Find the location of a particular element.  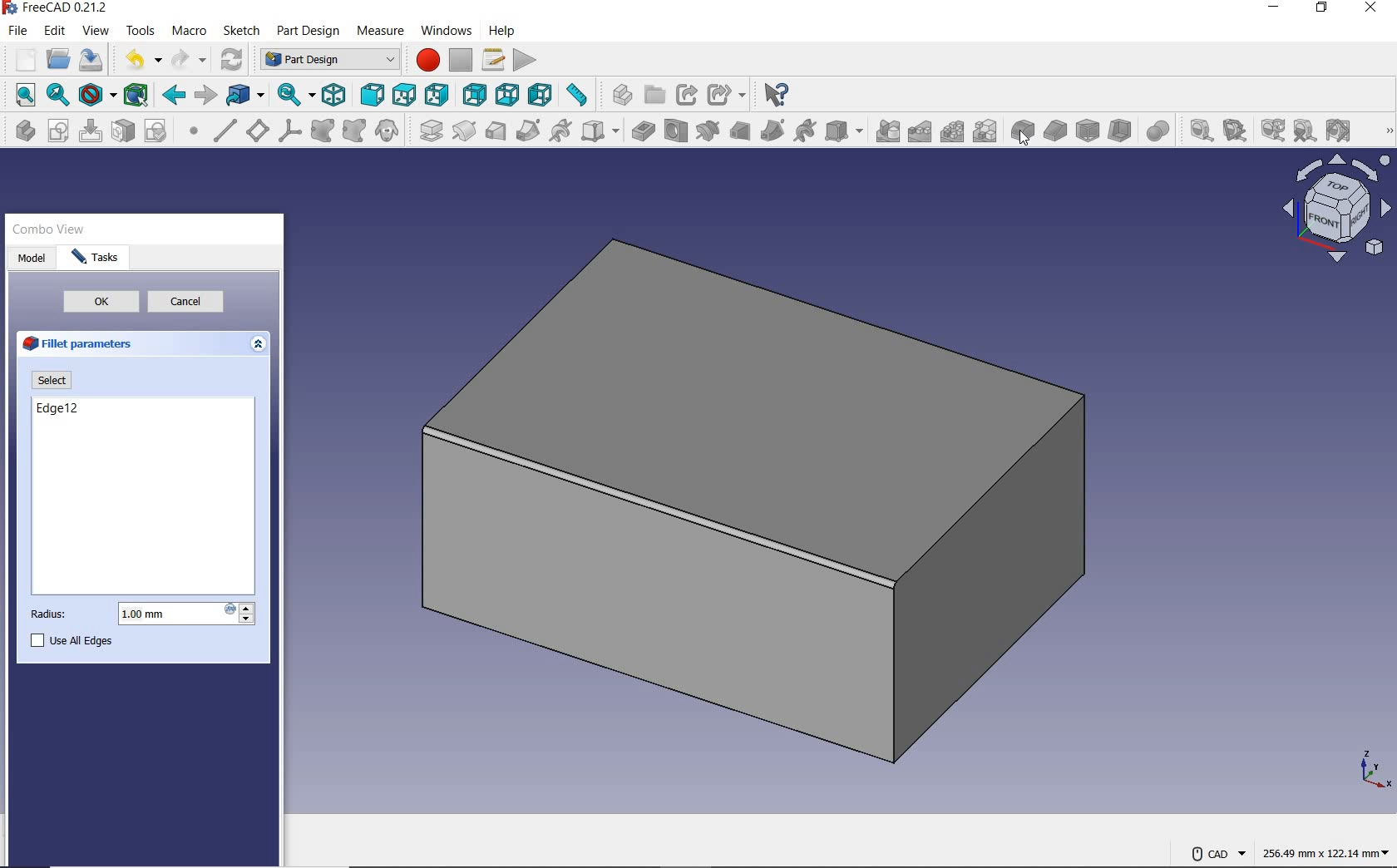

undo is located at coordinates (140, 58).